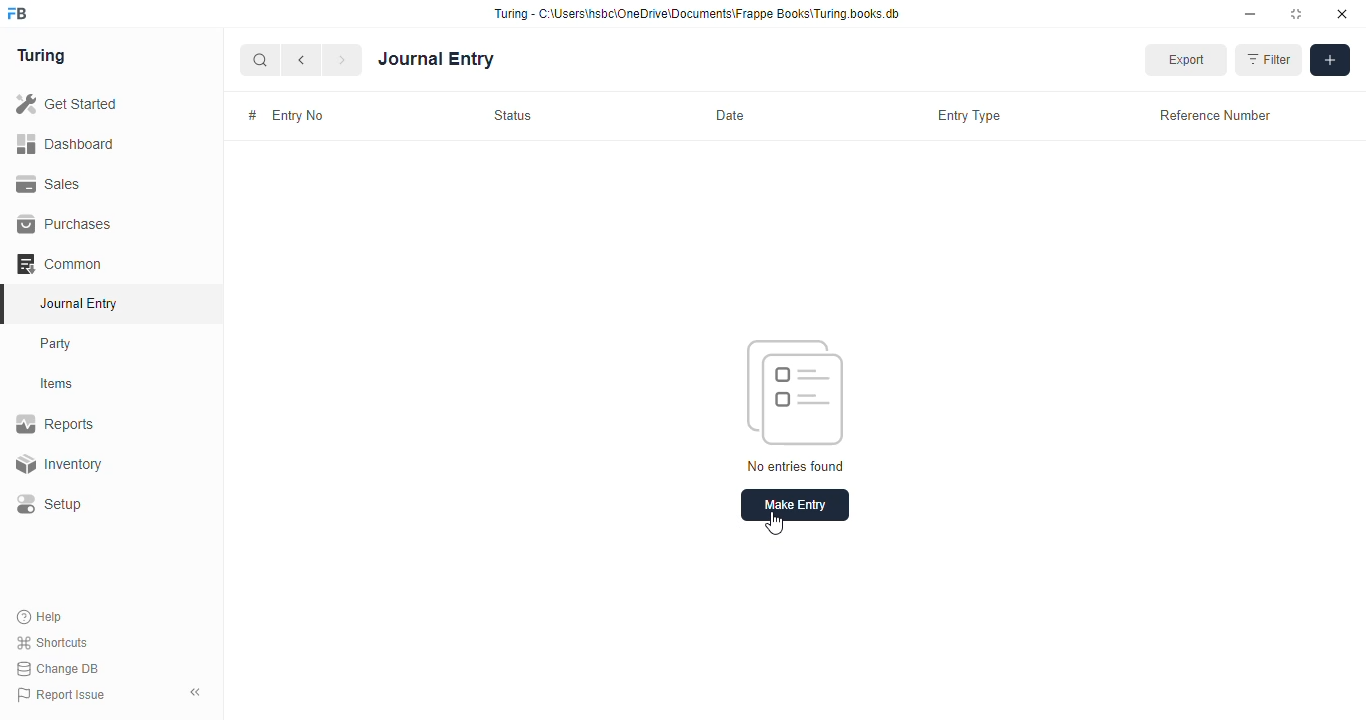 The image size is (1366, 720). Describe the element at coordinates (261, 60) in the screenshot. I see `search` at that location.